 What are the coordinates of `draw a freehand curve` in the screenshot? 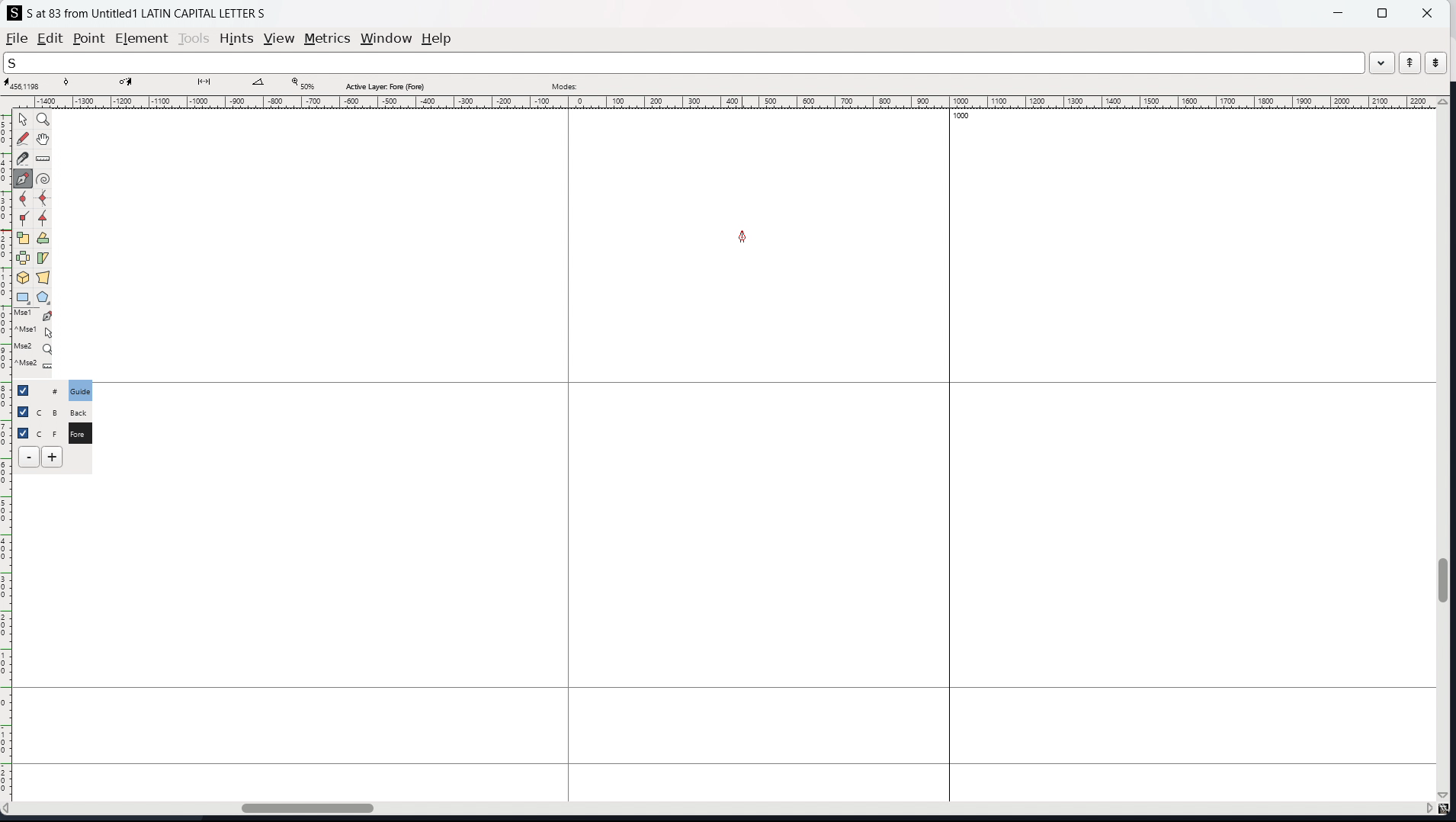 It's located at (23, 139).